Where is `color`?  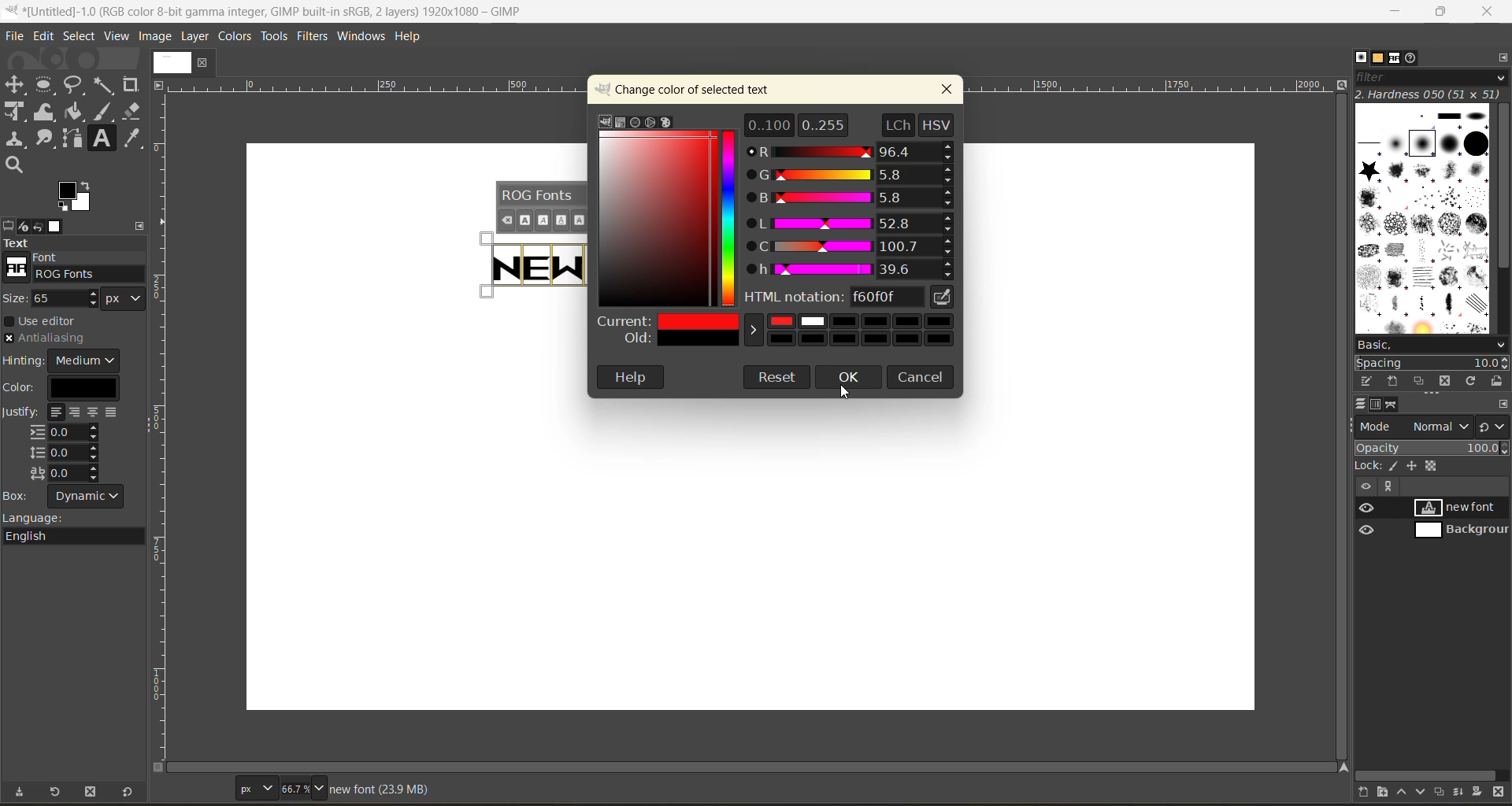 color is located at coordinates (69, 387).